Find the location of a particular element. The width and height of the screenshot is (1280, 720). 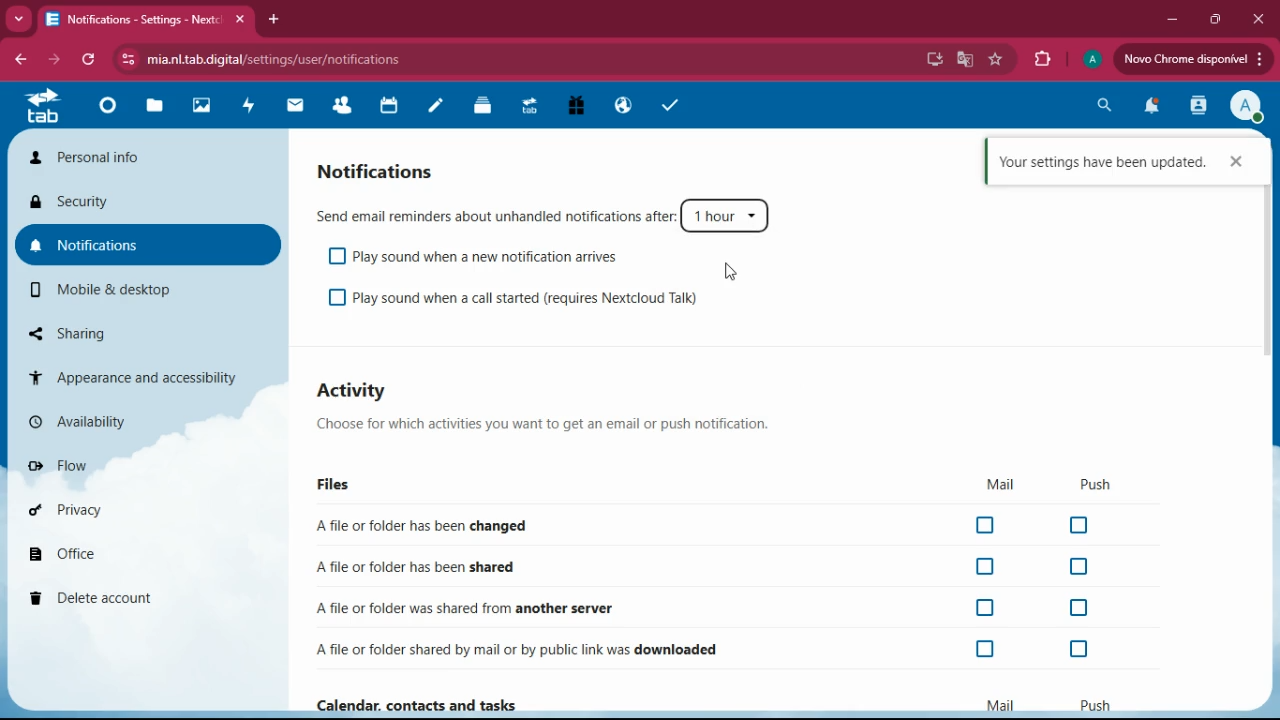

url is located at coordinates (264, 57).